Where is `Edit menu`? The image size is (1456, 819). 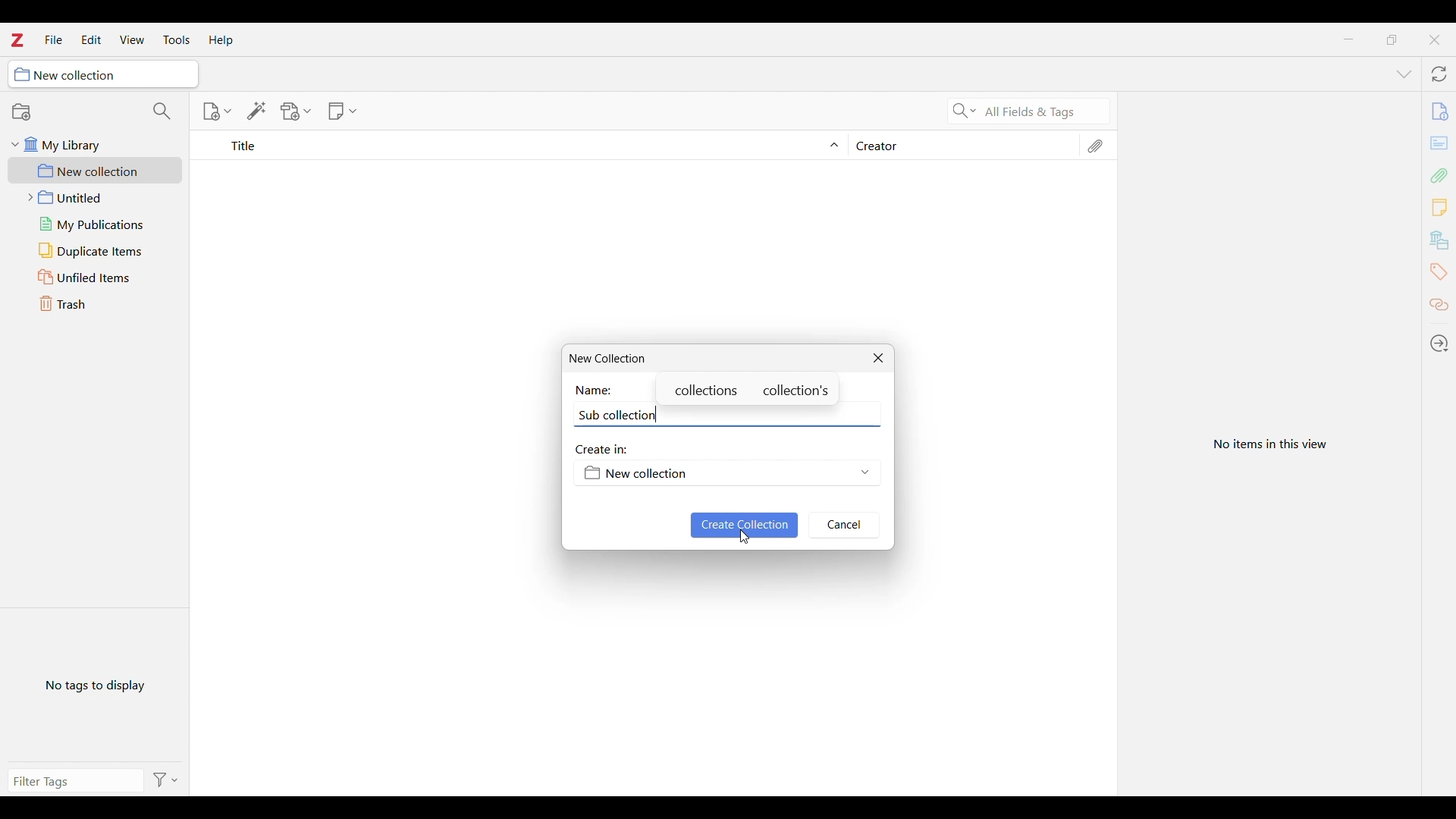 Edit menu is located at coordinates (92, 39).